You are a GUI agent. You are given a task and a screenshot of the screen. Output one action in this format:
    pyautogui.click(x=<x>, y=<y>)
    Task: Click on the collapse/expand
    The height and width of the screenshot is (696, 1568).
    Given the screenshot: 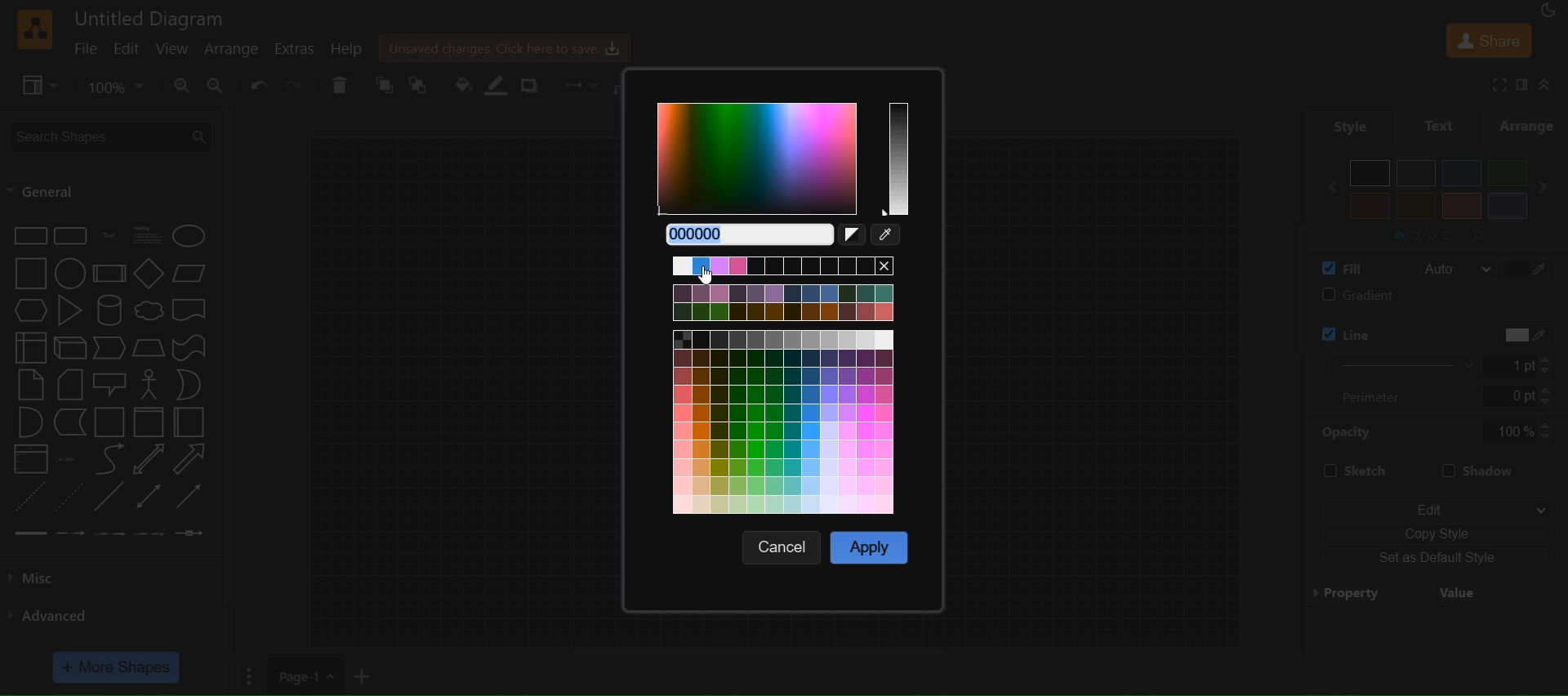 What is the action you would take?
    pyautogui.click(x=1552, y=85)
    